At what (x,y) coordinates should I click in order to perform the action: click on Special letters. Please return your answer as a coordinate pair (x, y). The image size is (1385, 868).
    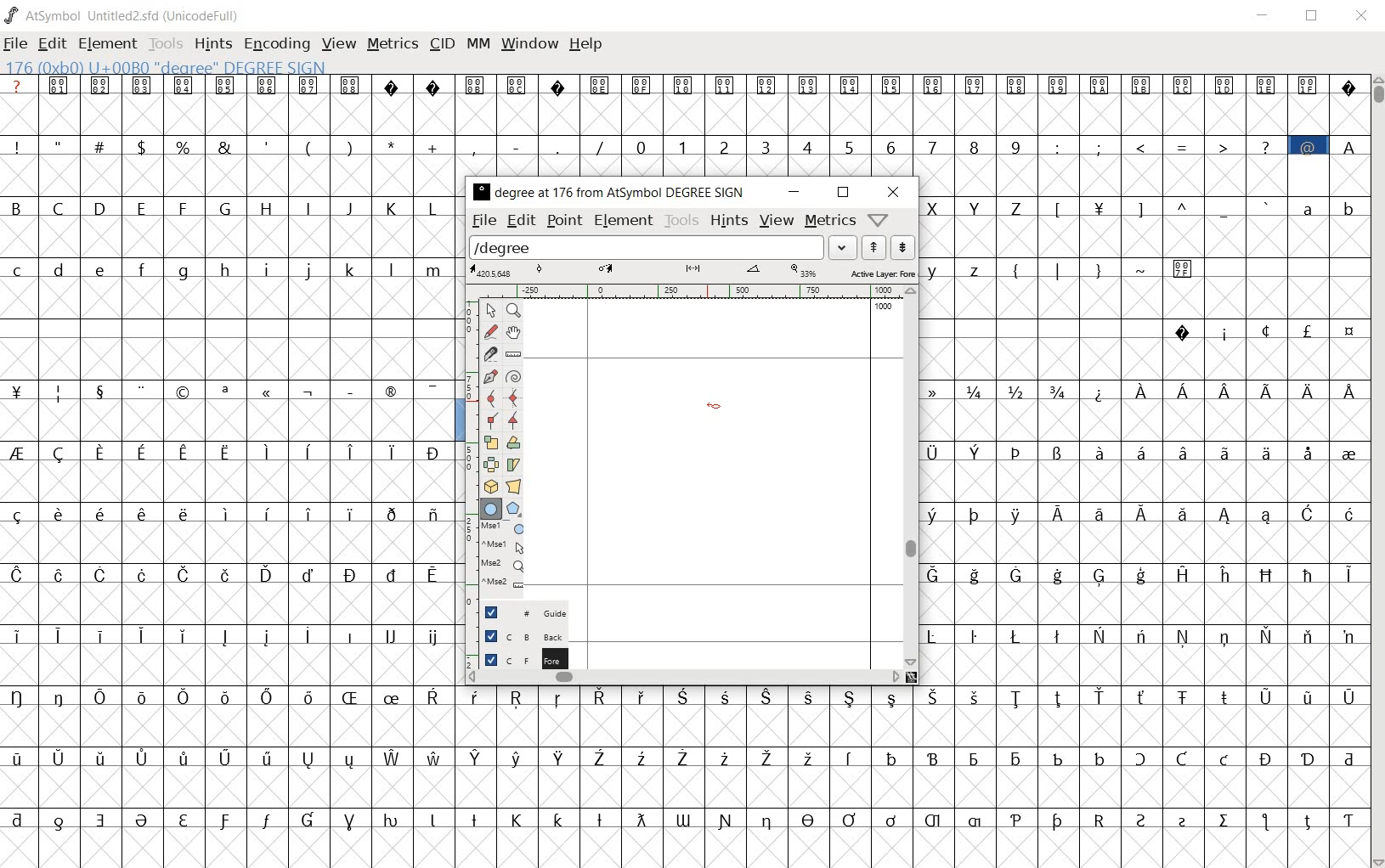
    Looking at the image, I should click on (1225, 392).